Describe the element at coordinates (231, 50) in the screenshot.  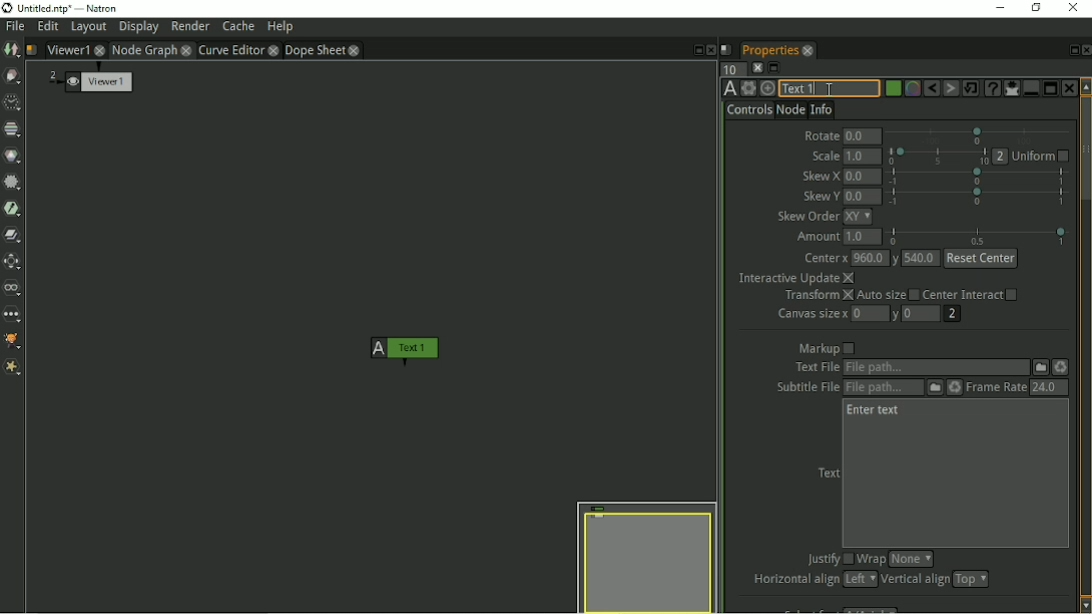
I see `Curve Editor` at that location.